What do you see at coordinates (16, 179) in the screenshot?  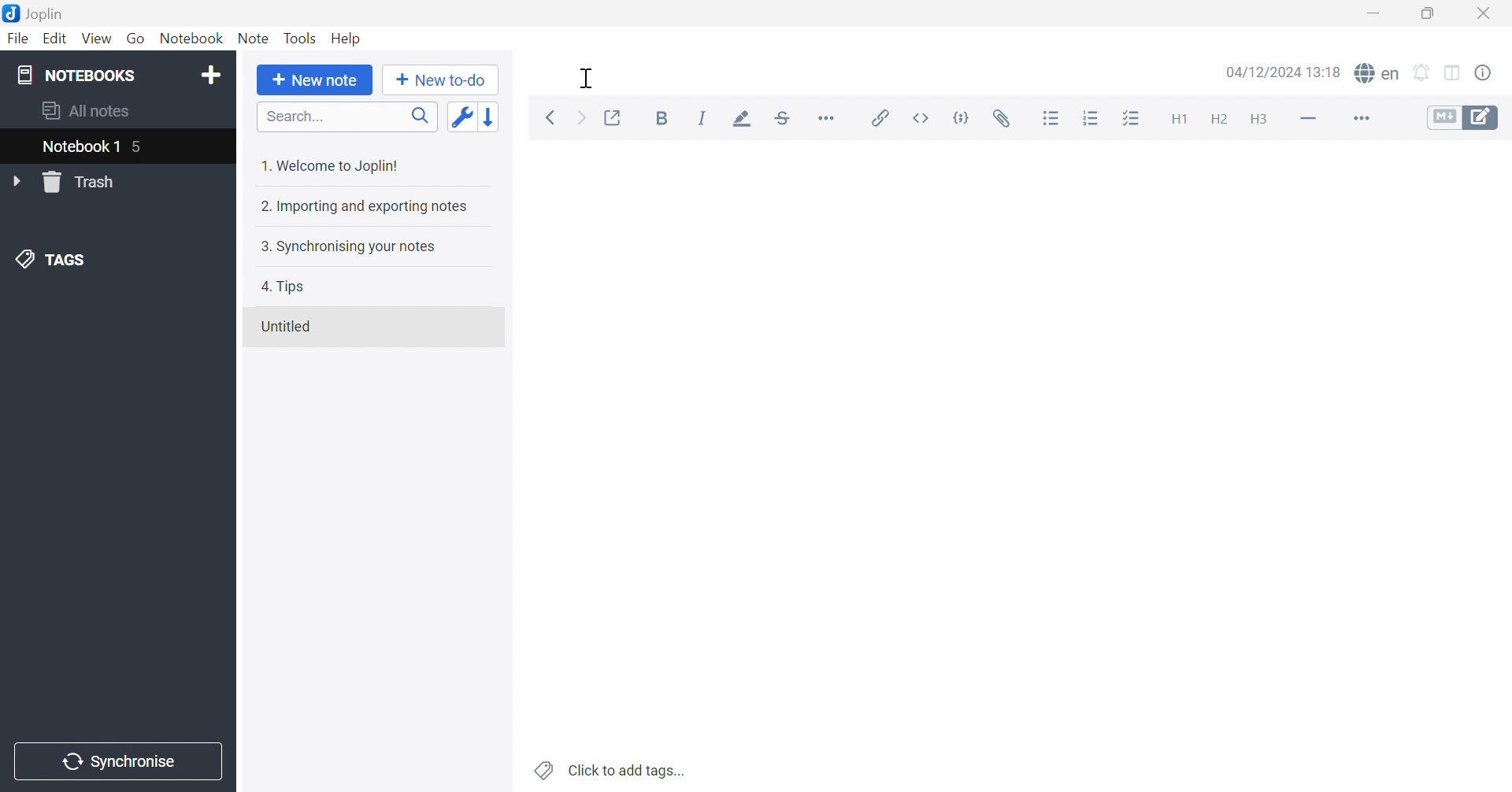 I see `Drop Down` at bounding box center [16, 179].